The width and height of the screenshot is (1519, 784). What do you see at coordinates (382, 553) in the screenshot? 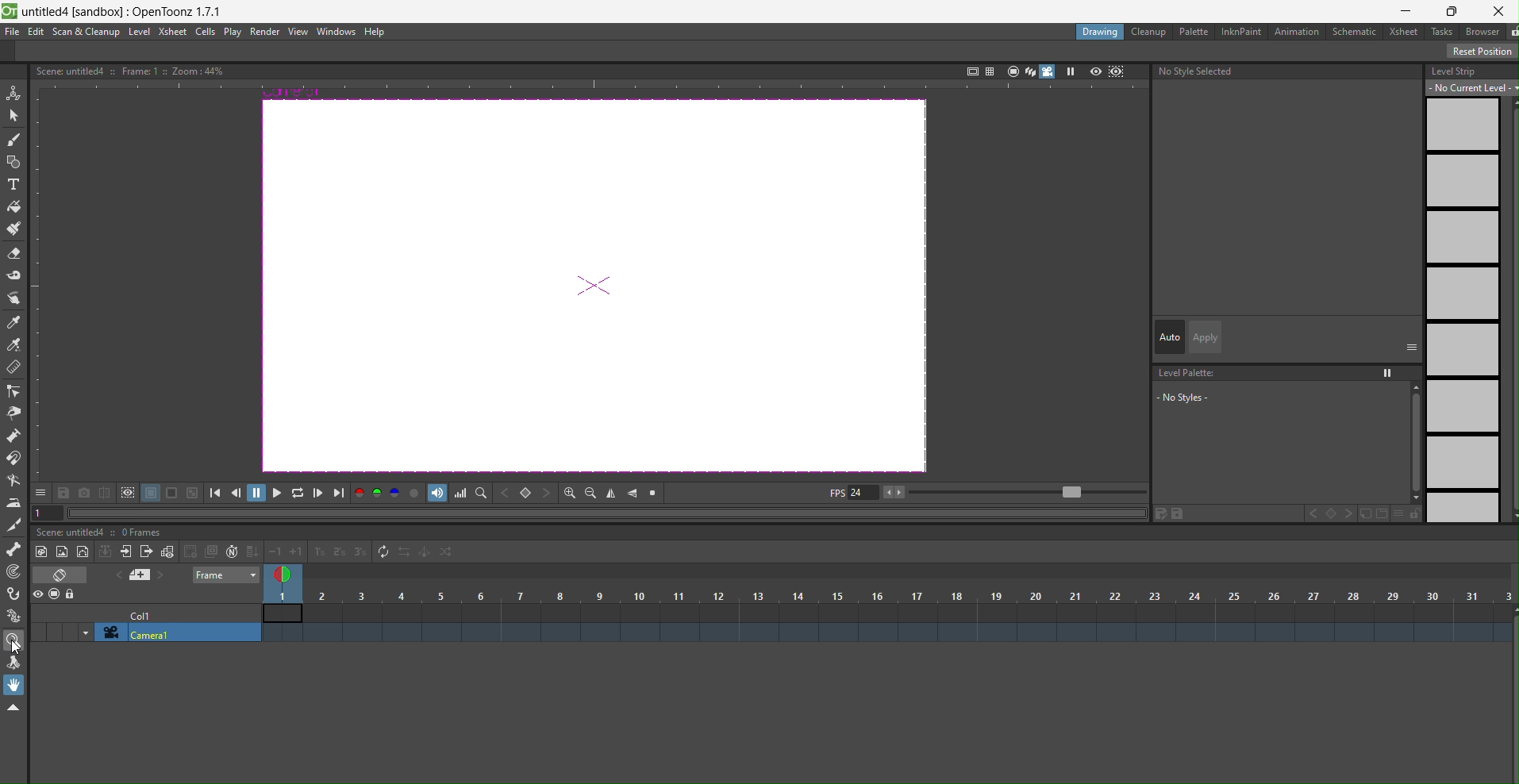
I see `refresh` at bounding box center [382, 553].